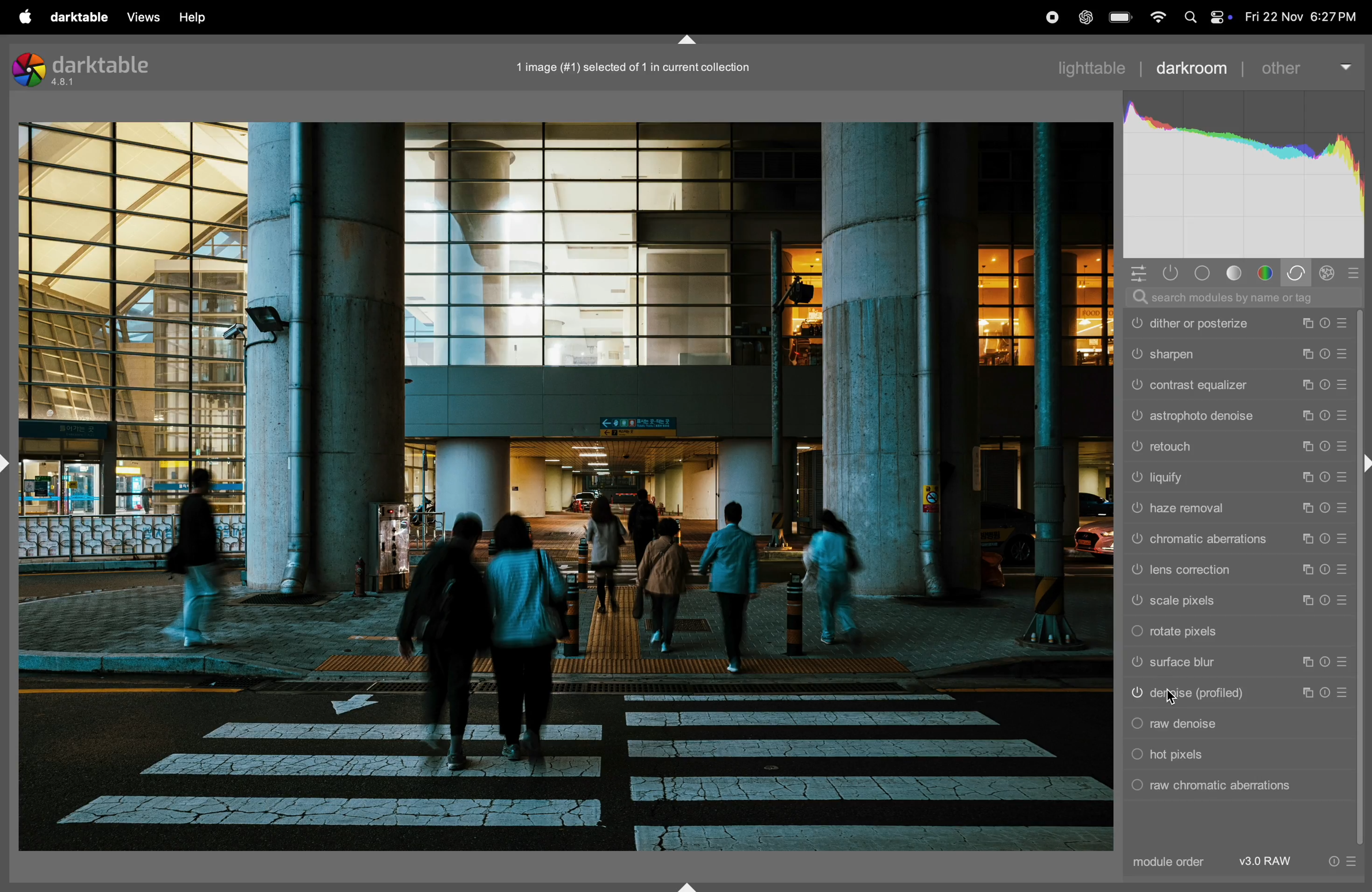  Describe the element at coordinates (1195, 70) in the screenshot. I see `darkroom` at that location.